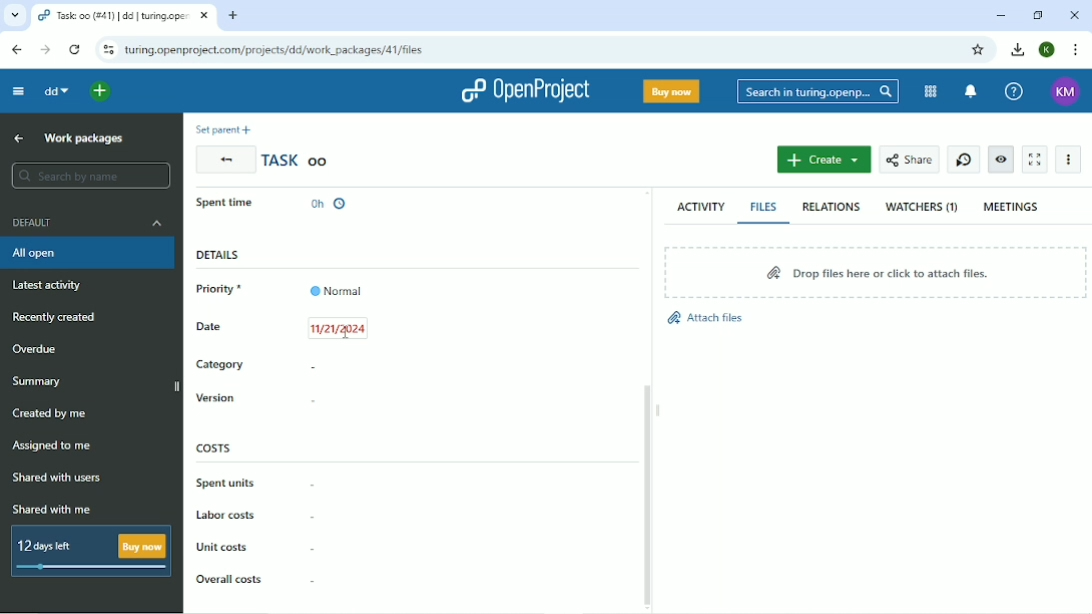  I want to click on Files, so click(766, 207).